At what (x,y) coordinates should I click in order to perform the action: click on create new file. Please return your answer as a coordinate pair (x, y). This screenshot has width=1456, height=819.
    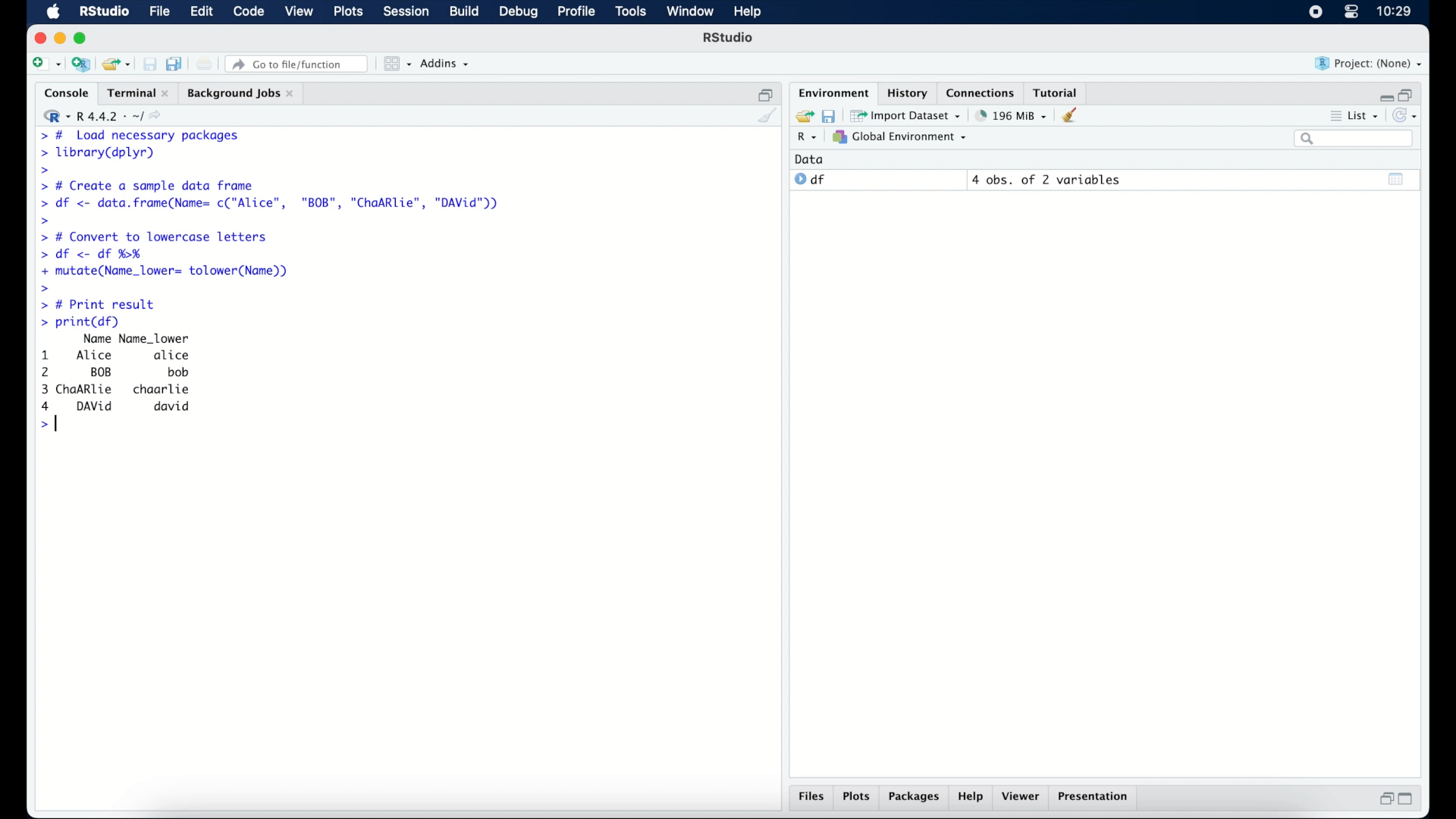
    Looking at the image, I should click on (45, 65).